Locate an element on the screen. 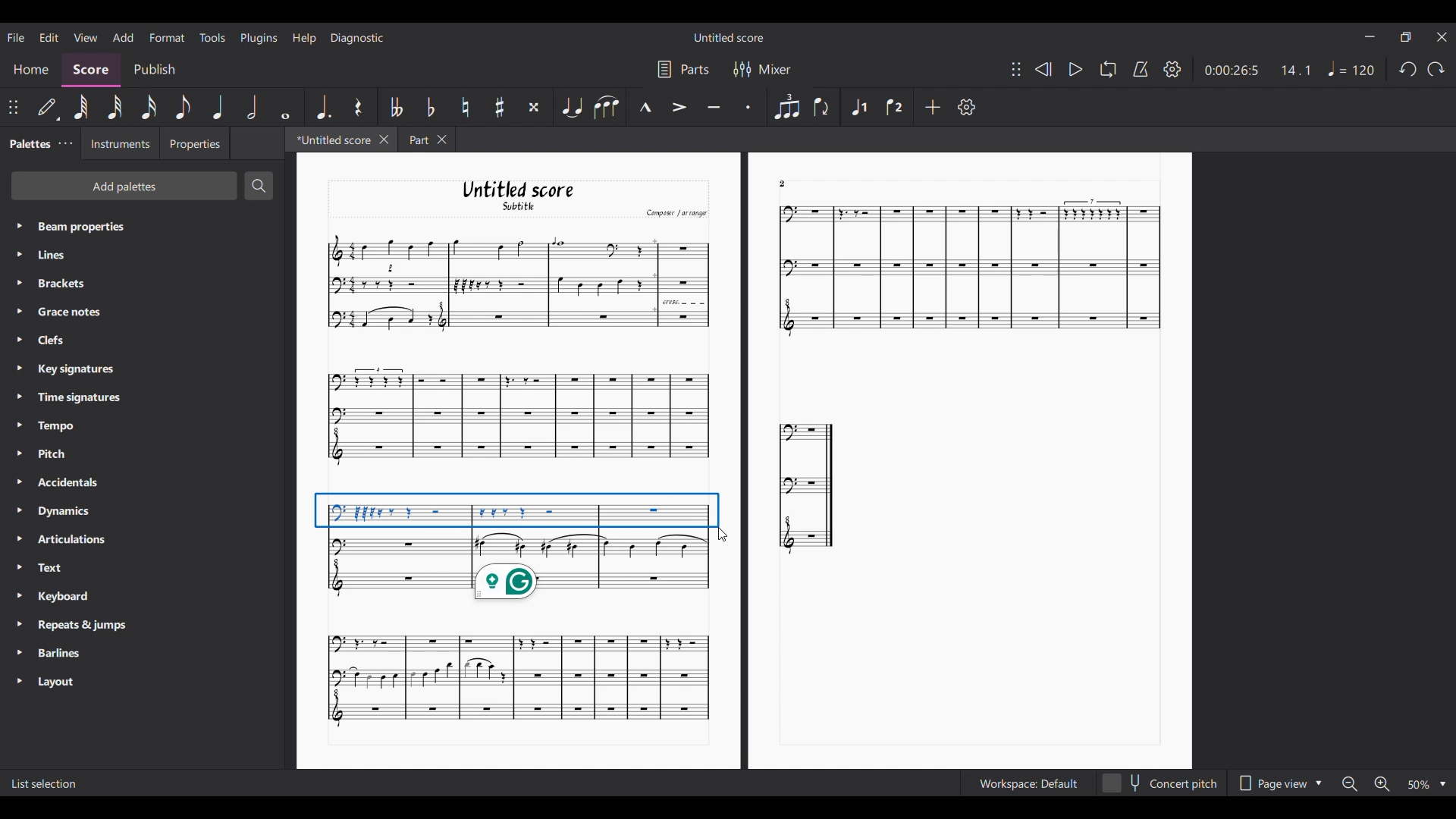  »  Clefs is located at coordinates (55, 340).